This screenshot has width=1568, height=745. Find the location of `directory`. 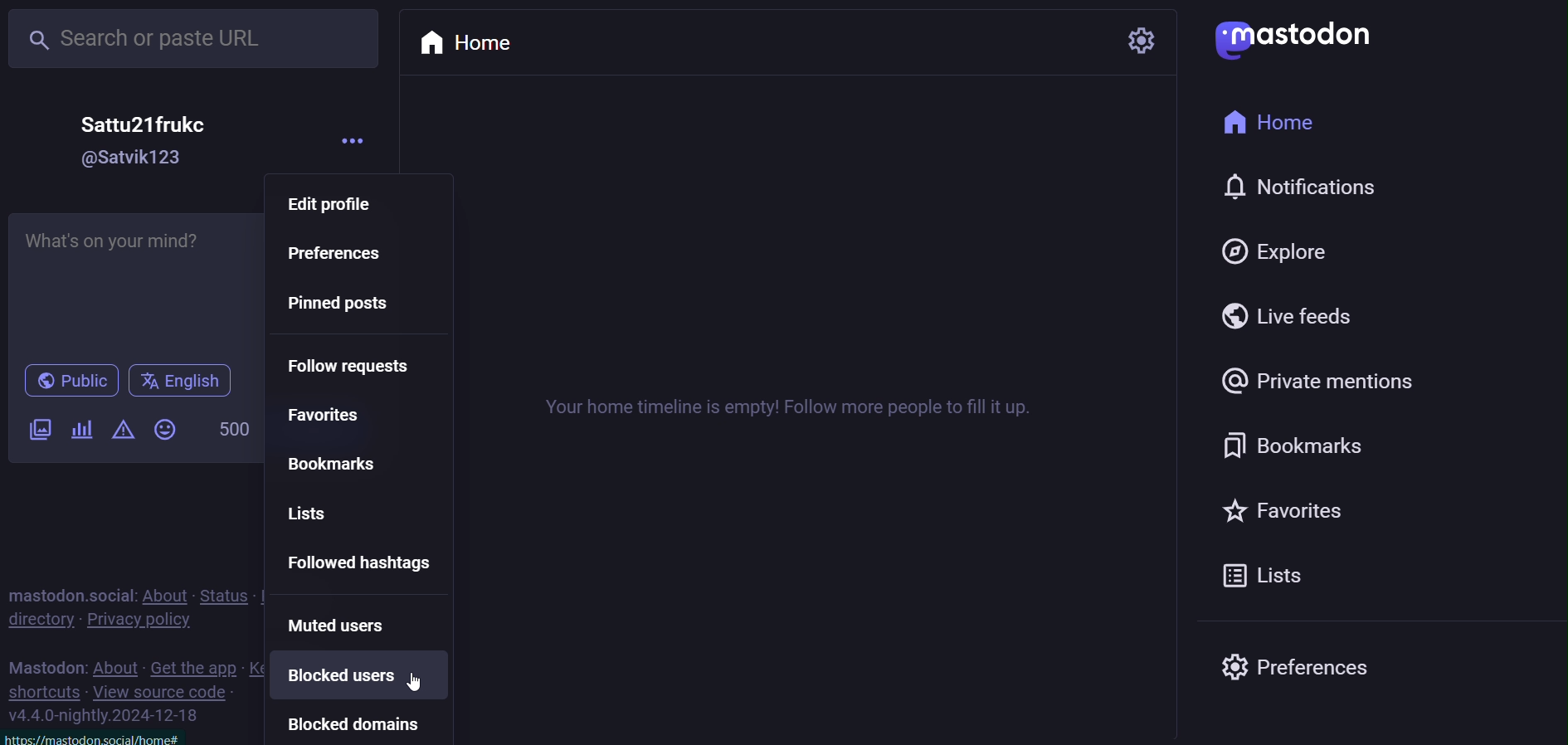

directory is located at coordinates (41, 624).